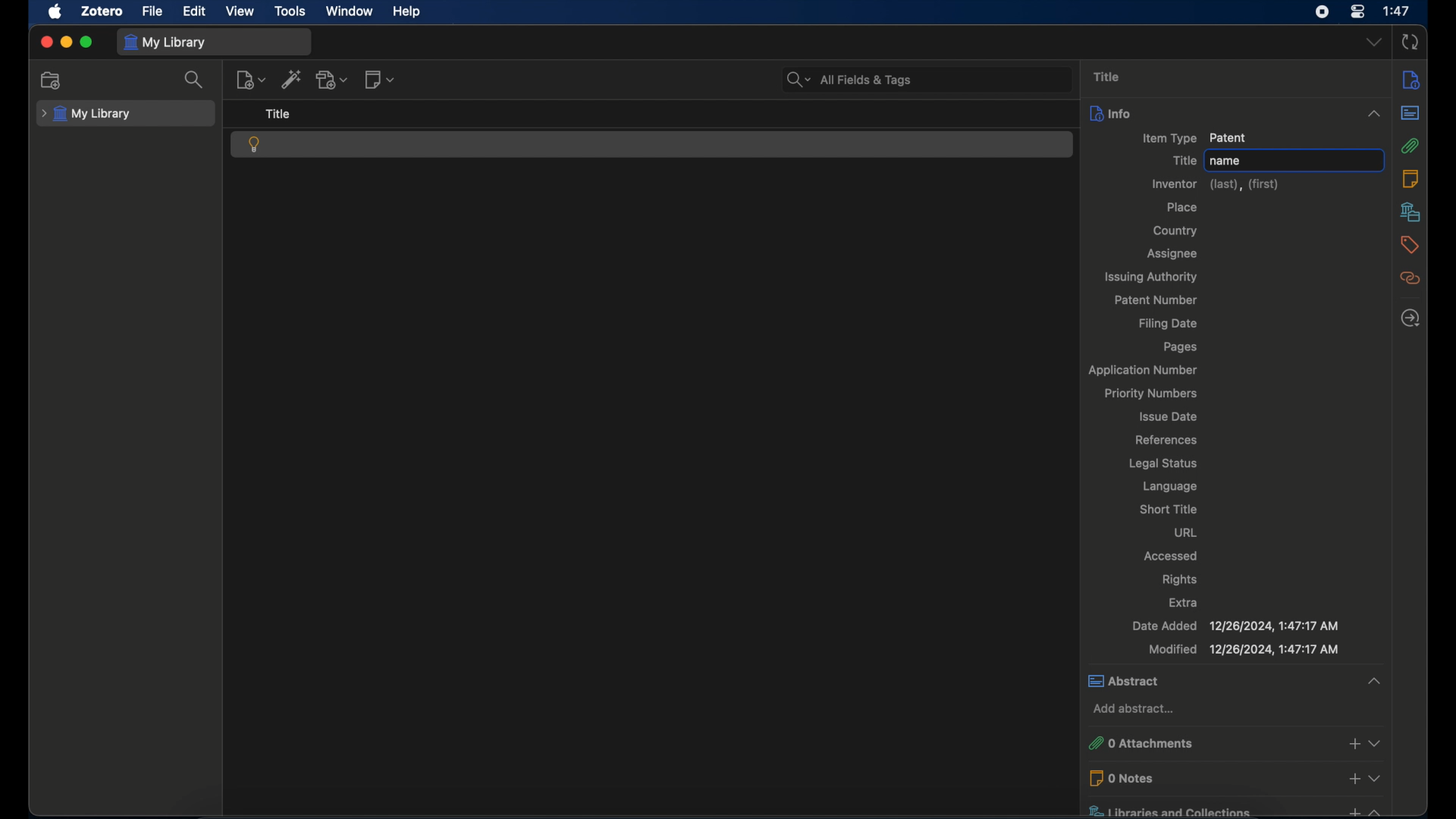  What do you see at coordinates (1411, 43) in the screenshot?
I see `sync` at bounding box center [1411, 43].